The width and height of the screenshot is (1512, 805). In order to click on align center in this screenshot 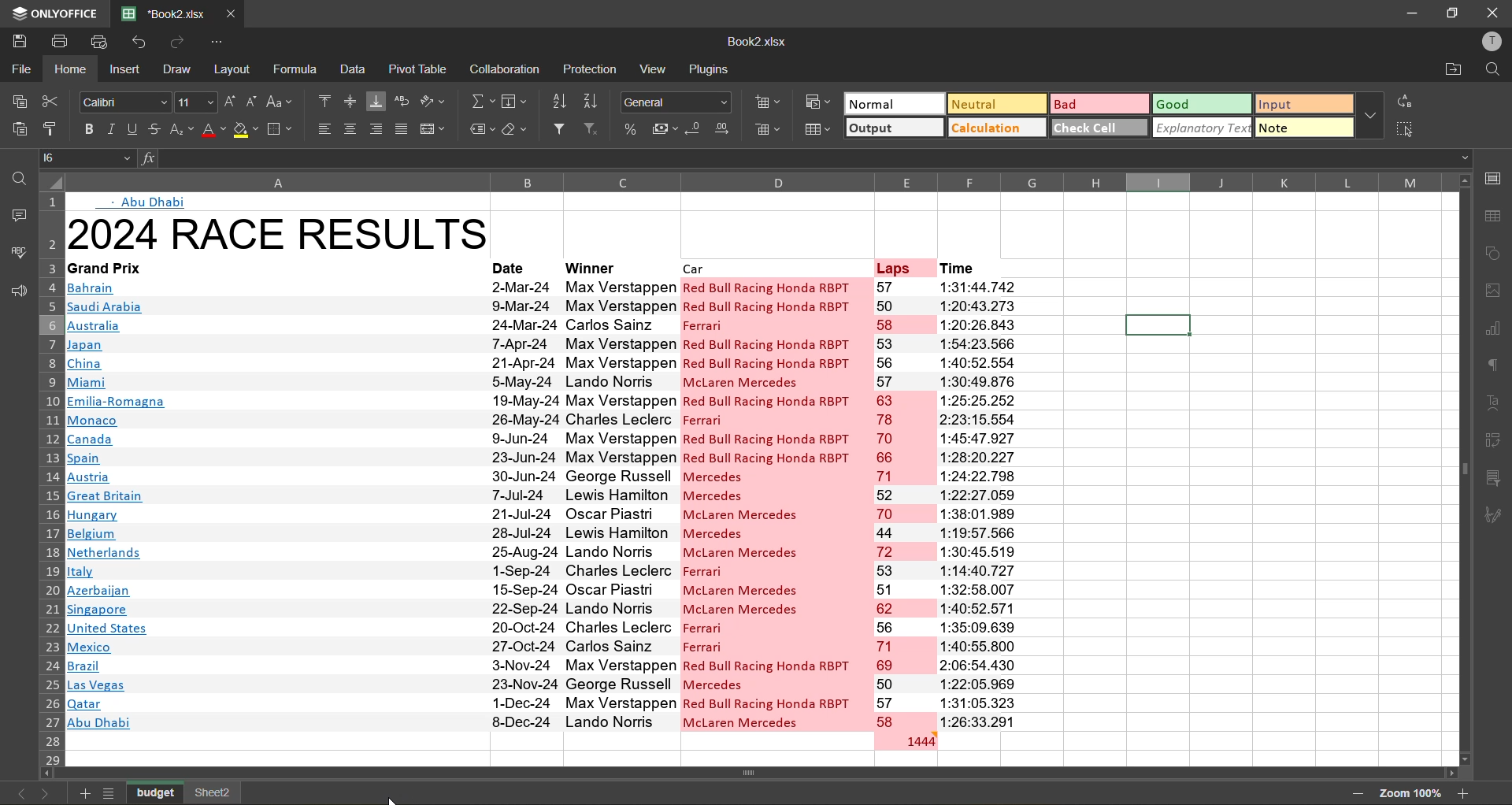, I will do `click(350, 127)`.